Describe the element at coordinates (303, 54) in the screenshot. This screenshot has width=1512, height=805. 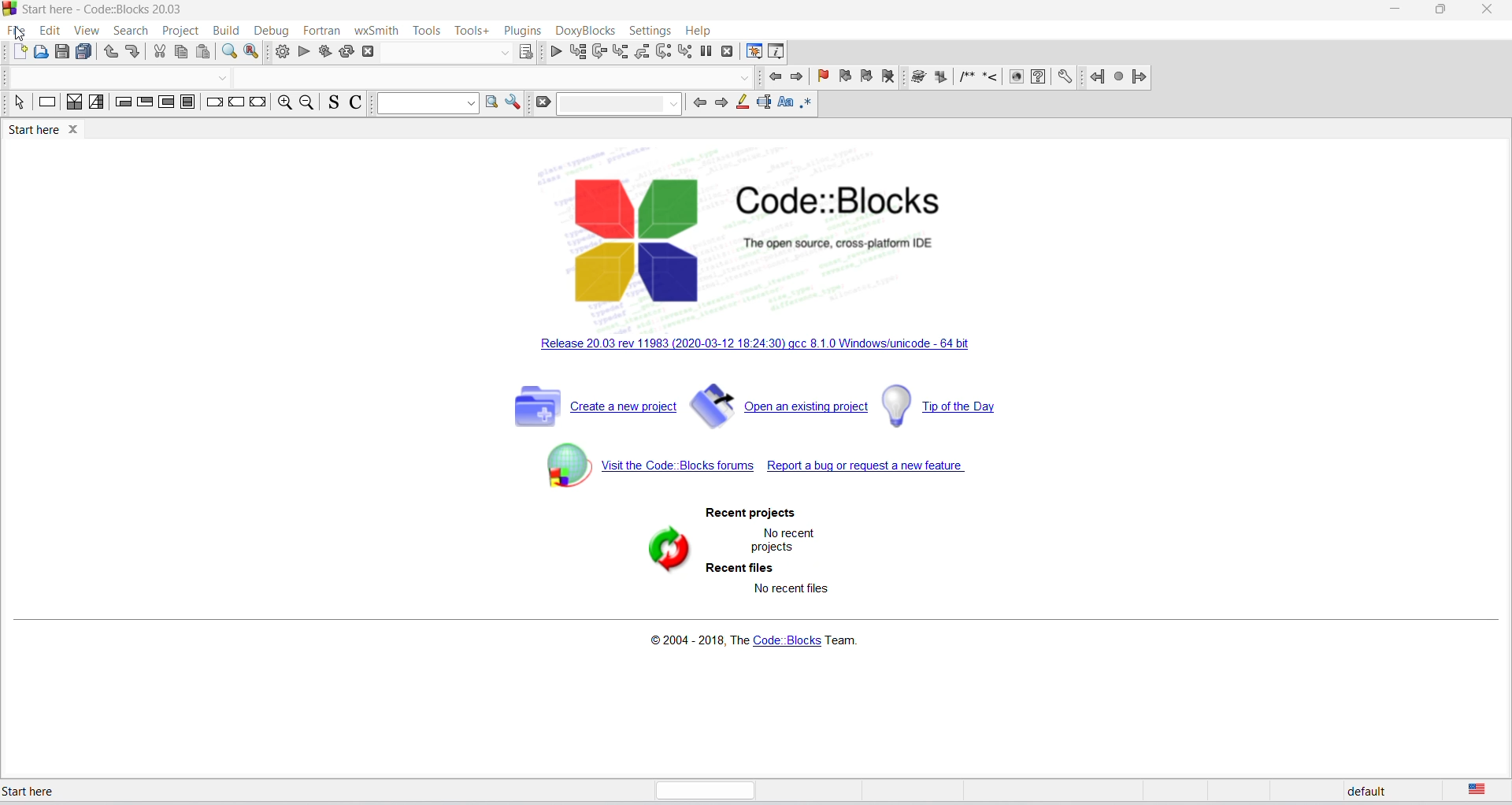
I see `run` at that location.